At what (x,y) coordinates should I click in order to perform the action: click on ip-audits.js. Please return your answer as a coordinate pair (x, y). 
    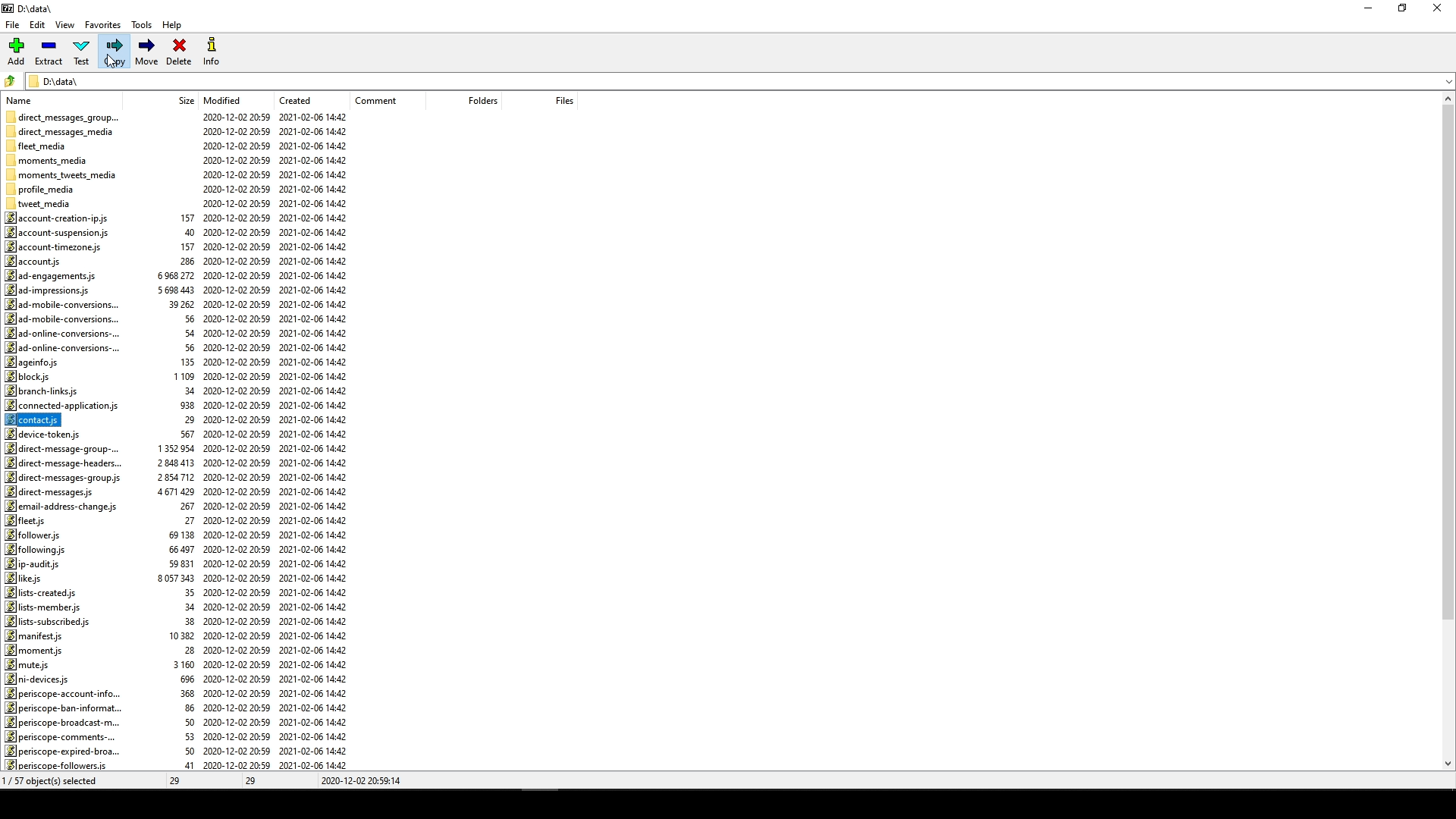
    Looking at the image, I should click on (33, 564).